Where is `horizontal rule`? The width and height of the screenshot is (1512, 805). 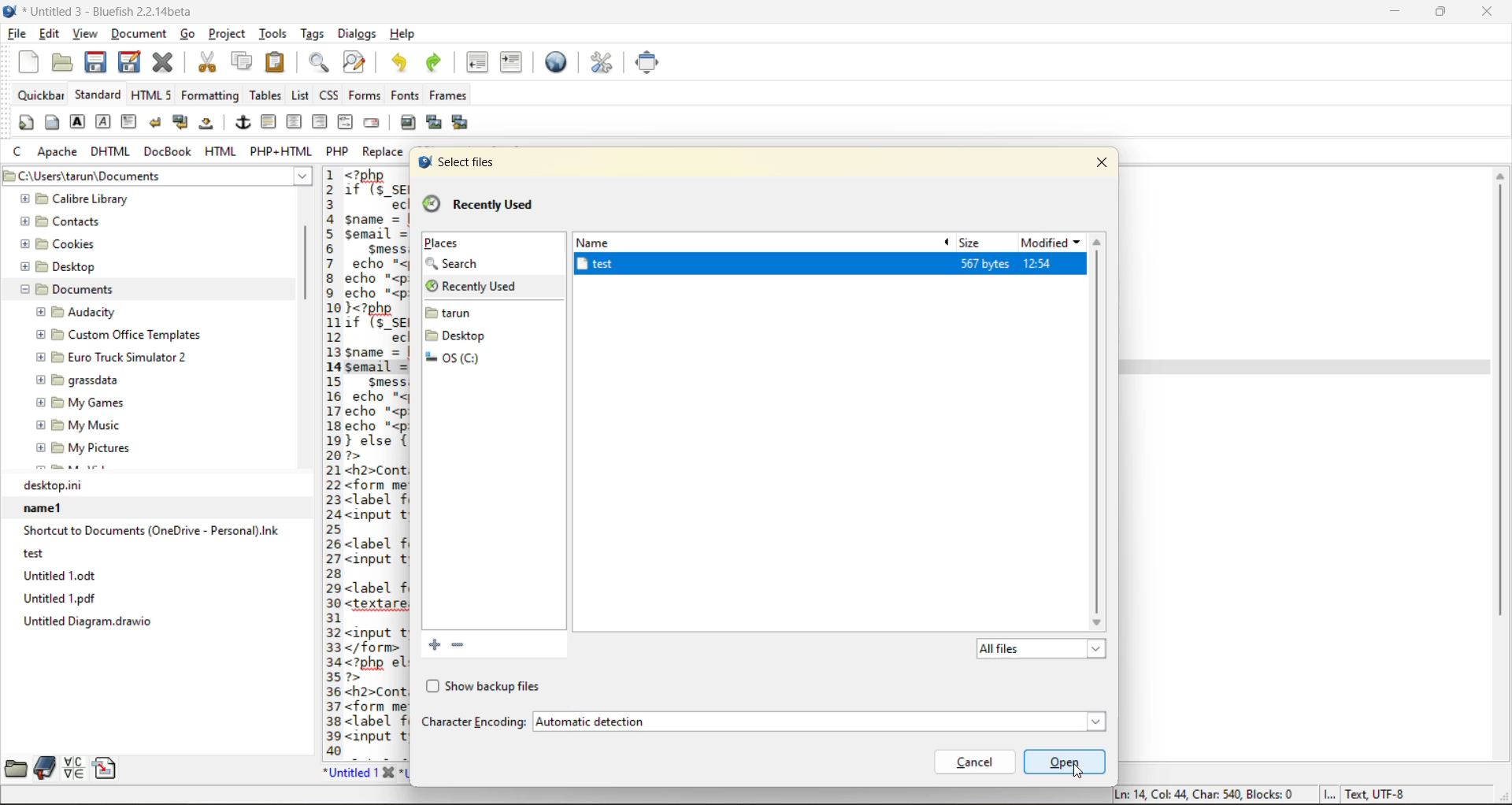
horizontal rule is located at coordinates (269, 122).